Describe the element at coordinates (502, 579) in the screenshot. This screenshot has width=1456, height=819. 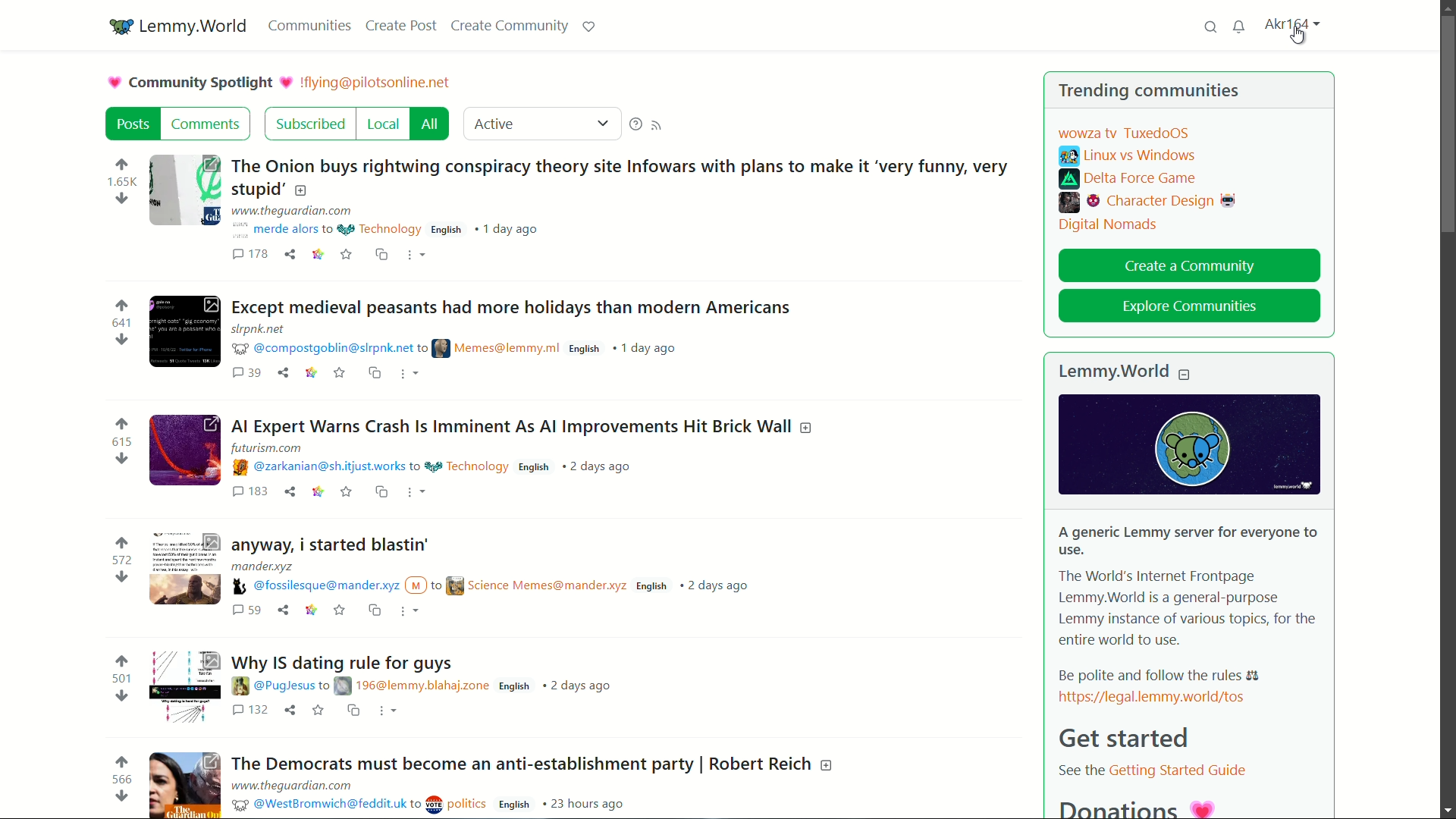
I see `post details` at that location.